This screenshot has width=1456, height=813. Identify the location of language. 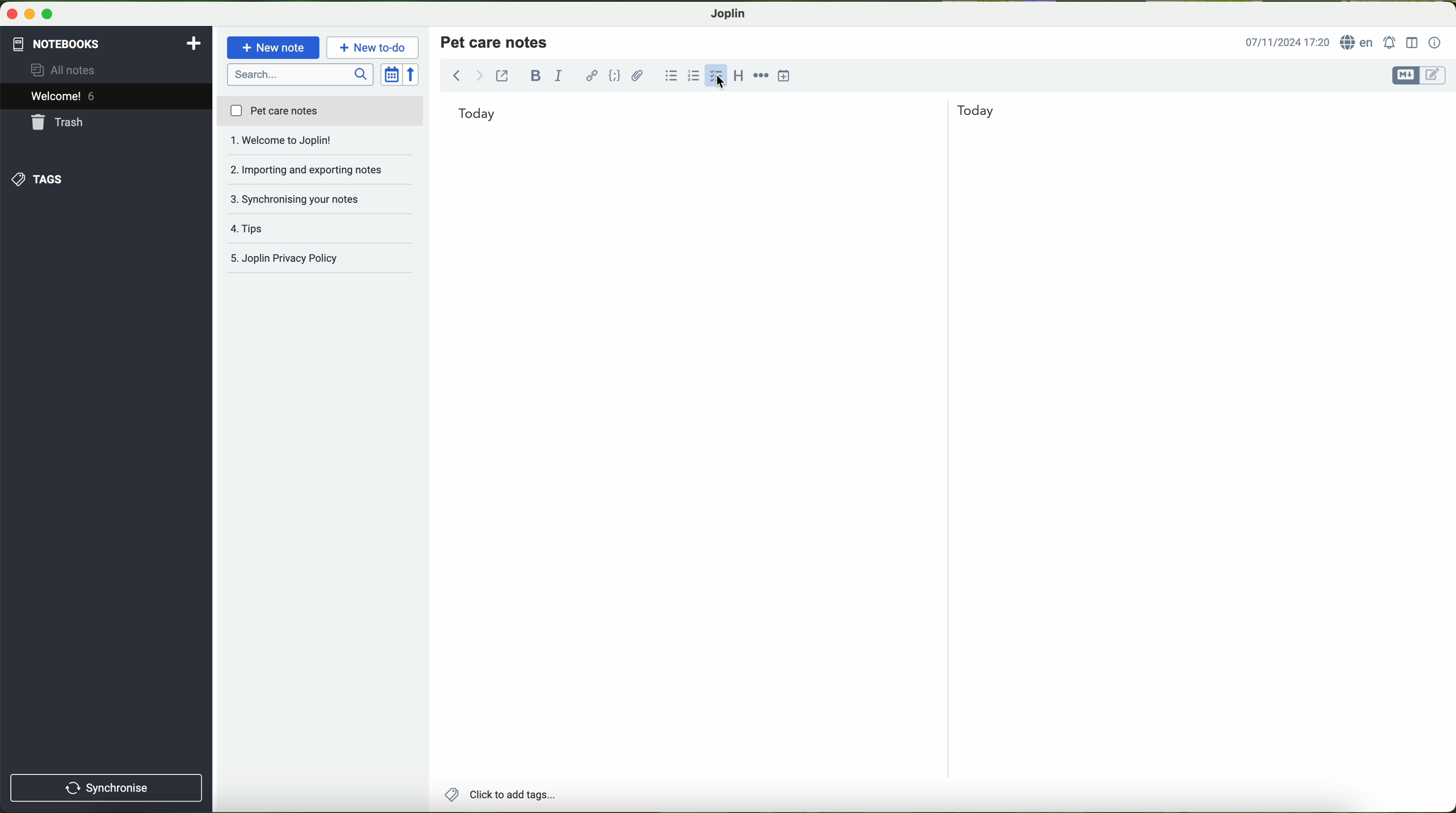
(1359, 43).